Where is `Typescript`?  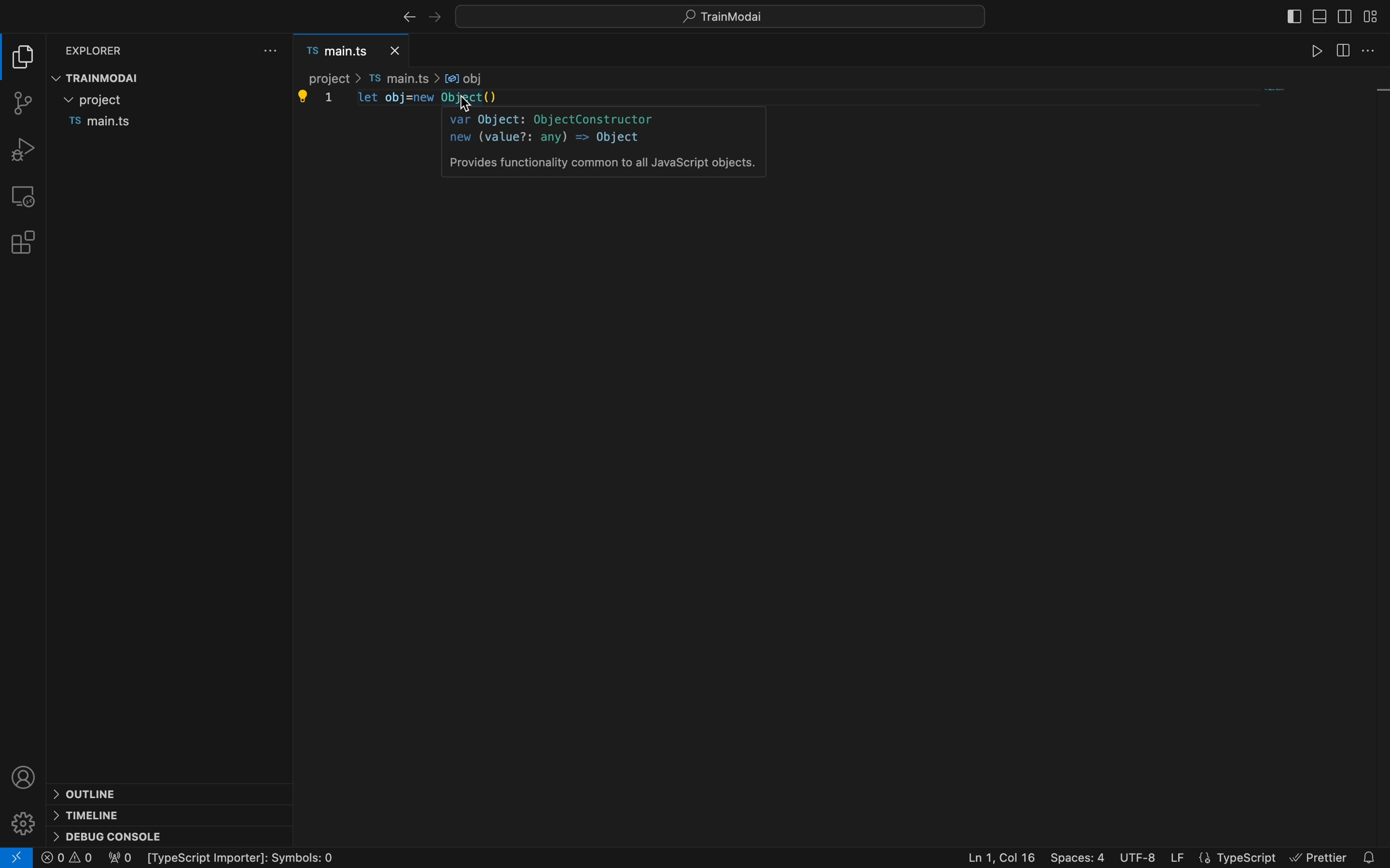 Typescript is located at coordinates (1239, 856).